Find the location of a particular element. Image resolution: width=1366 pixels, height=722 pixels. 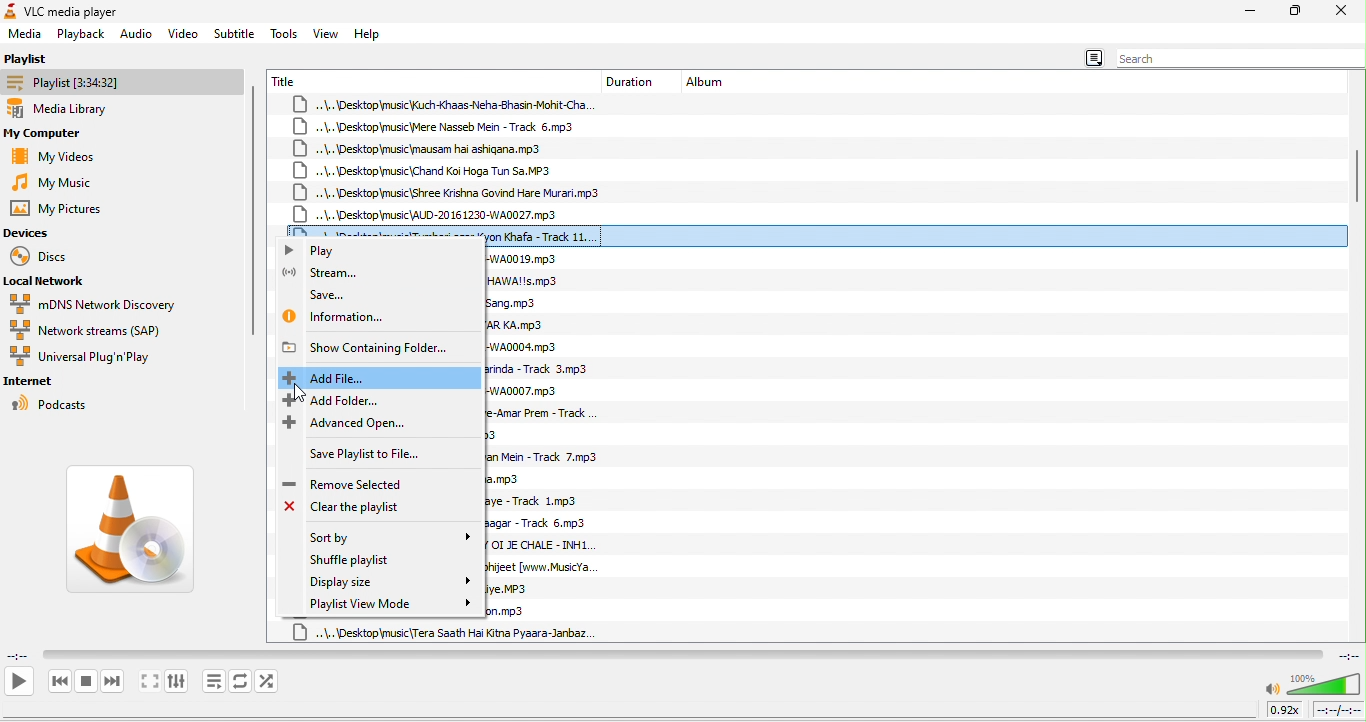

audio is located at coordinates (136, 34).